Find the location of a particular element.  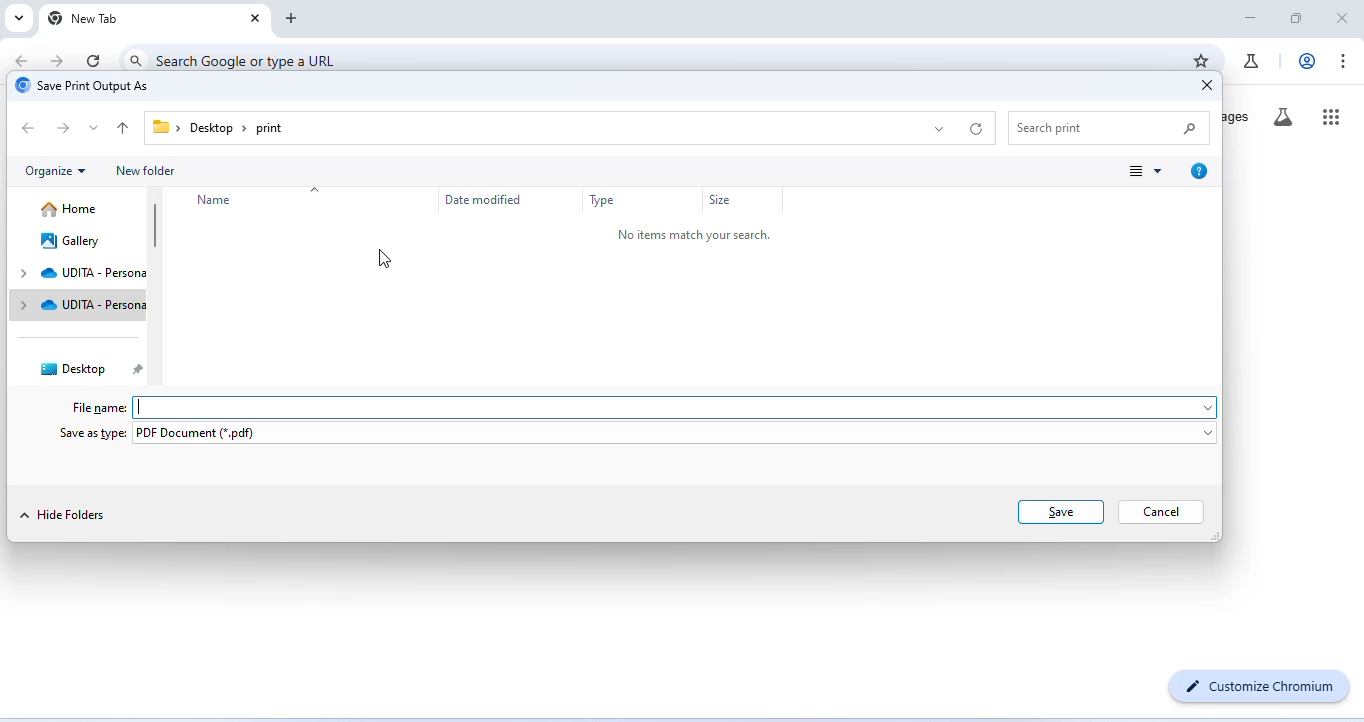

refresh is located at coordinates (95, 60).